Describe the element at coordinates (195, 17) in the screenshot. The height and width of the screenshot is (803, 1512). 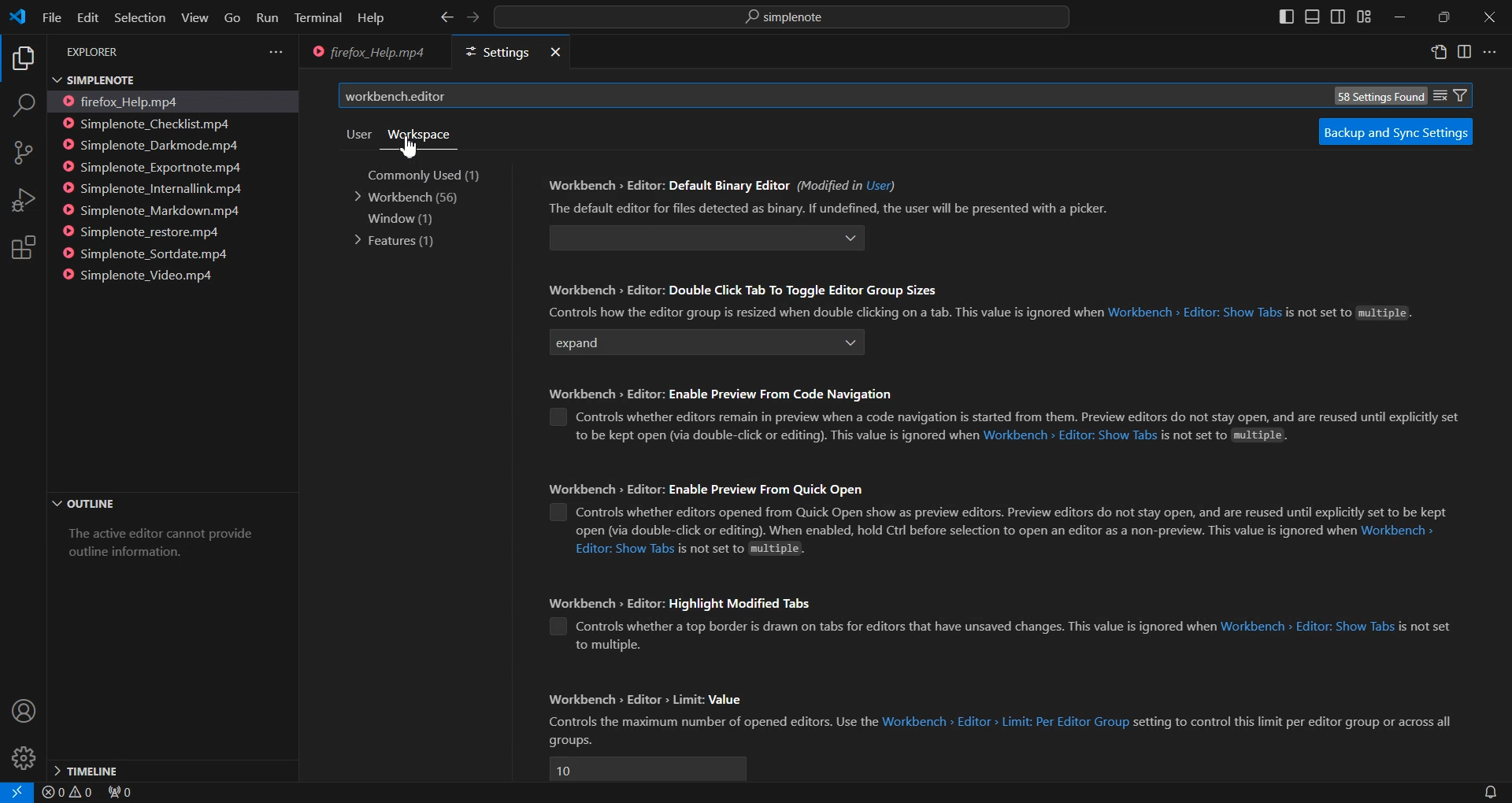
I see `View` at that location.